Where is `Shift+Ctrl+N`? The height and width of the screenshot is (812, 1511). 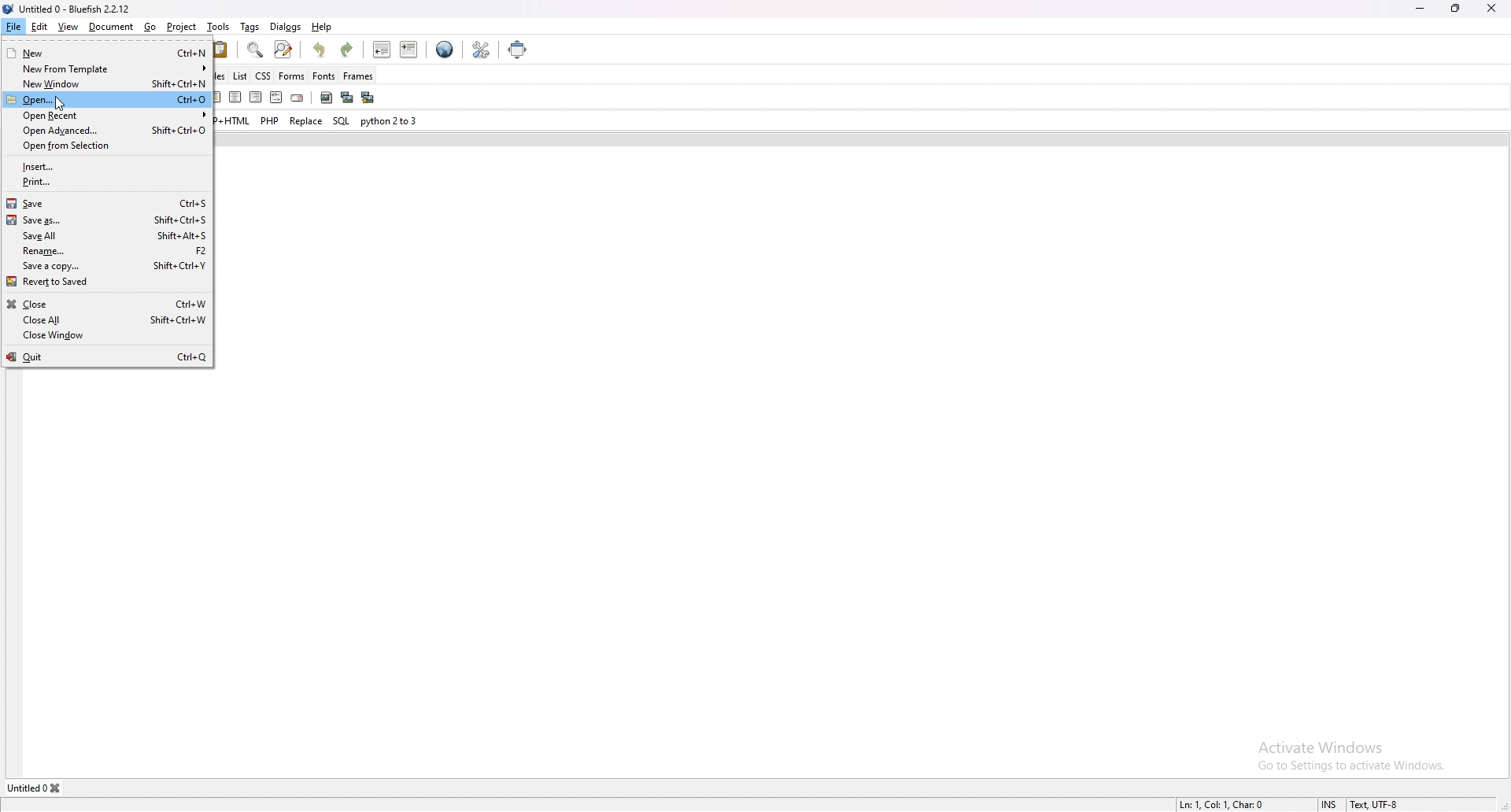
Shift+Ctrl+N is located at coordinates (179, 83).